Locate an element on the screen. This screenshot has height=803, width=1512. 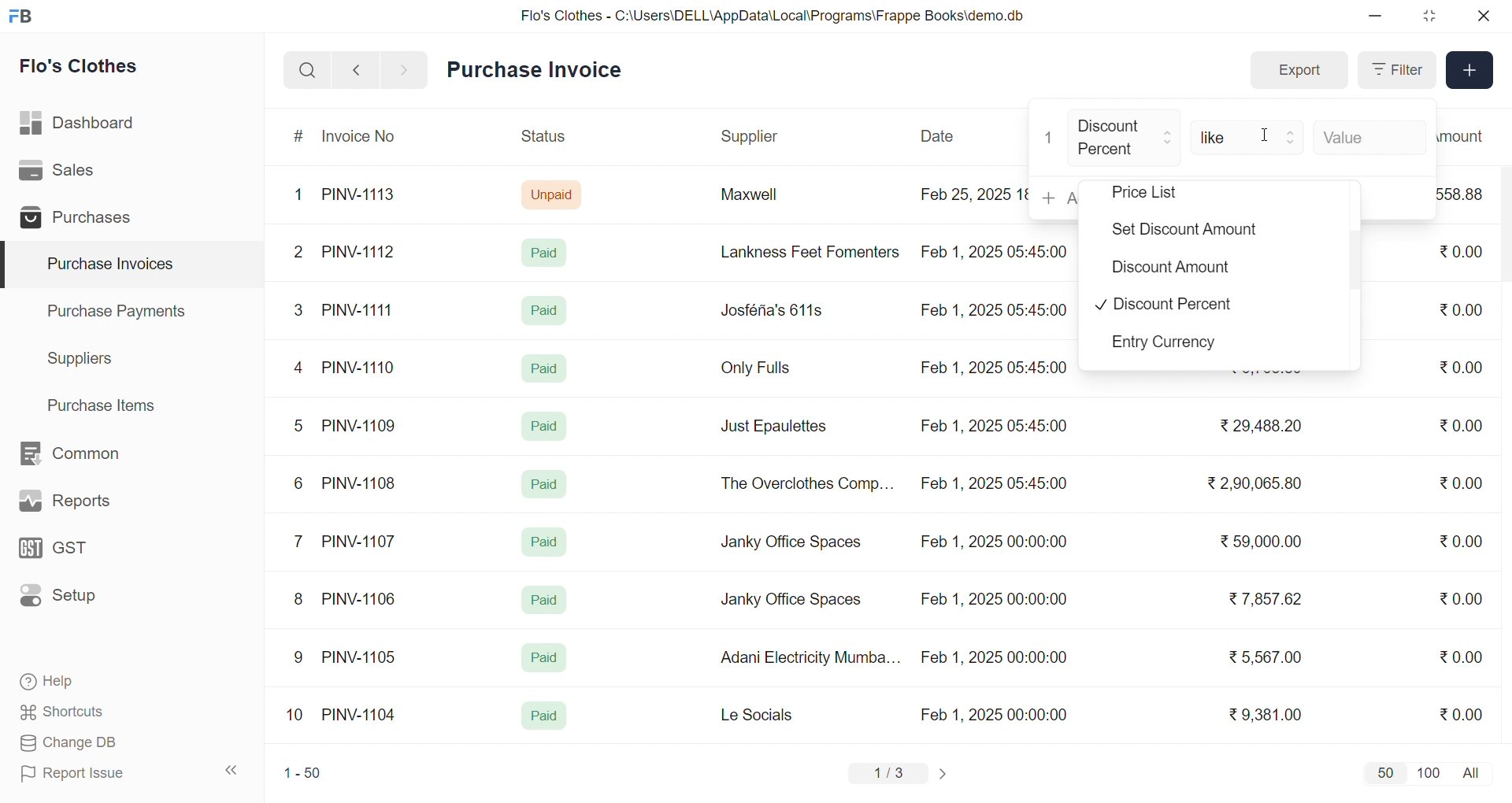
Paid is located at coordinates (548, 252).